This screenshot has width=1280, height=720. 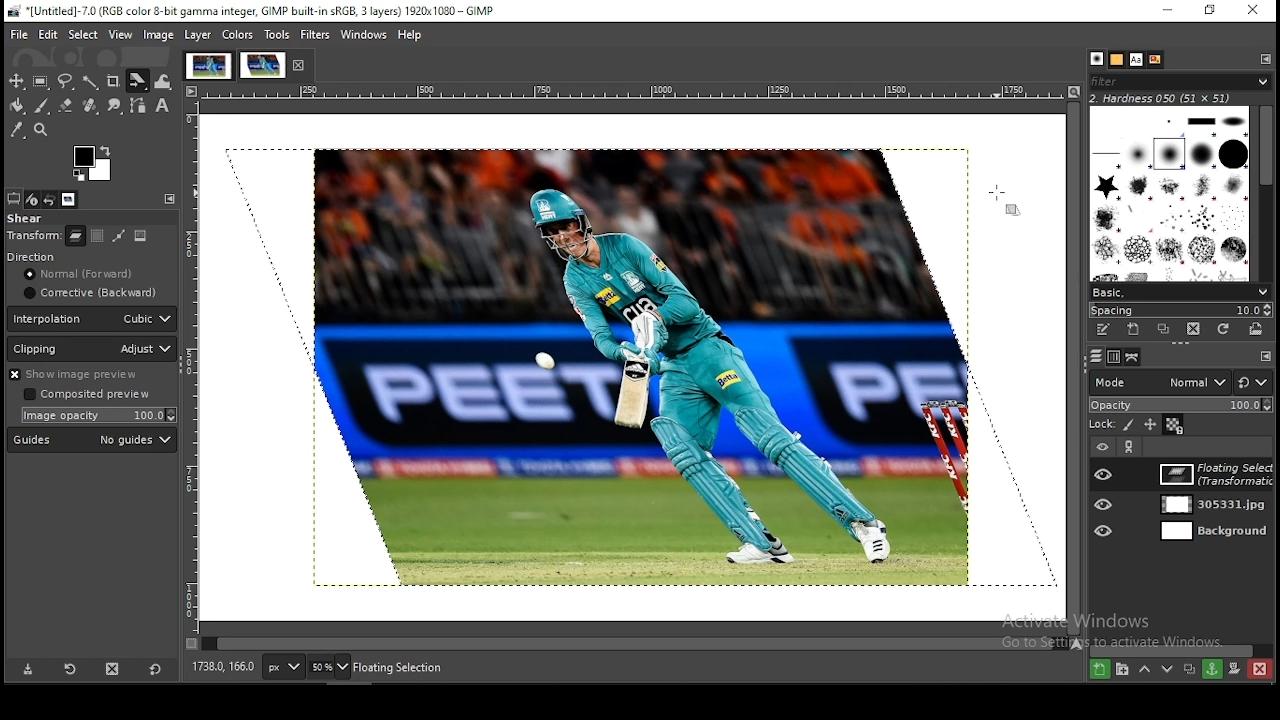 I want to click on filters, so click(x=314, y=35).